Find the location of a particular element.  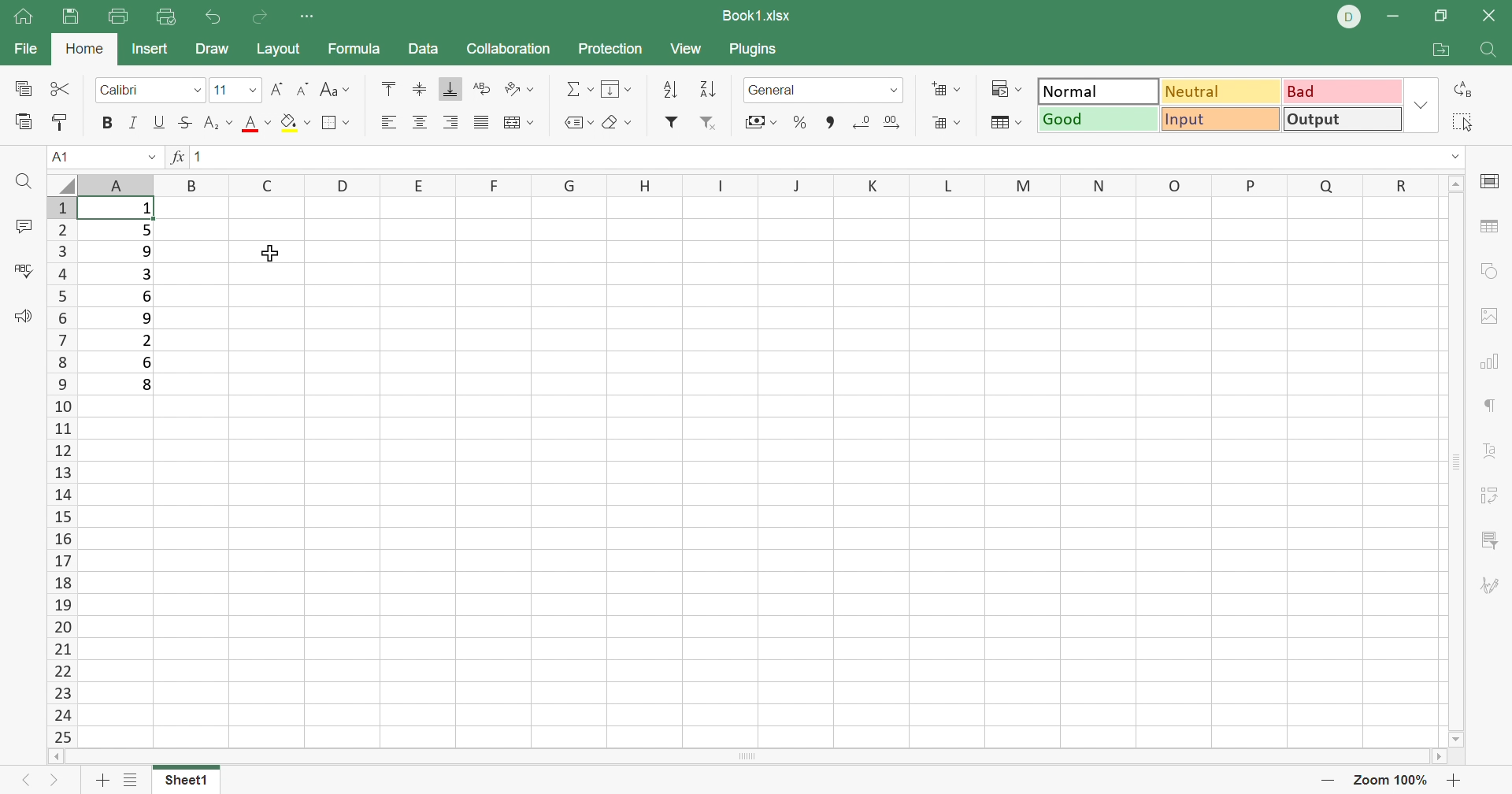

Scroll bar is located at coordinates (747, 756).